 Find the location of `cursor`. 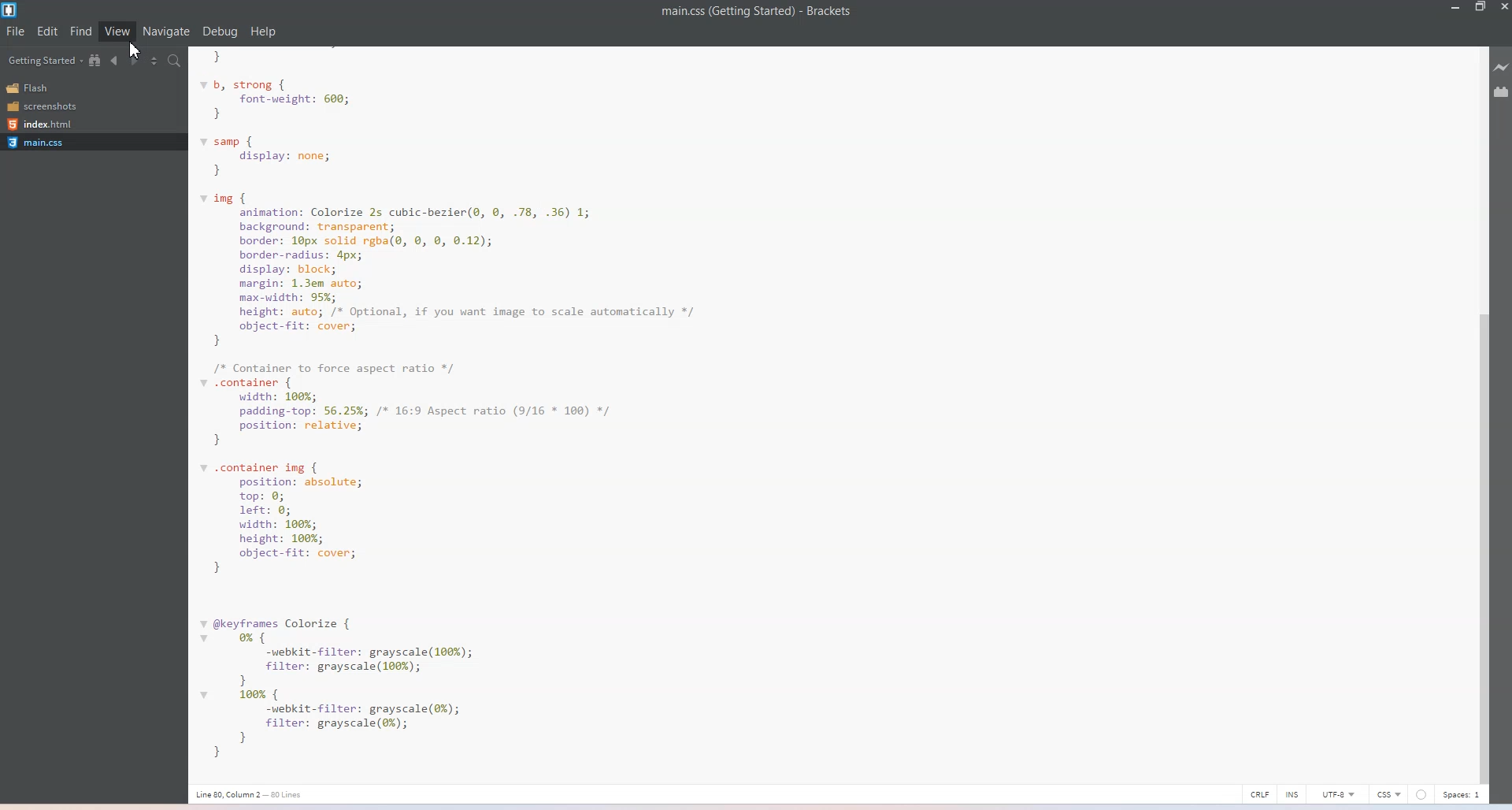

cursor is located at coordinates (135, 50).